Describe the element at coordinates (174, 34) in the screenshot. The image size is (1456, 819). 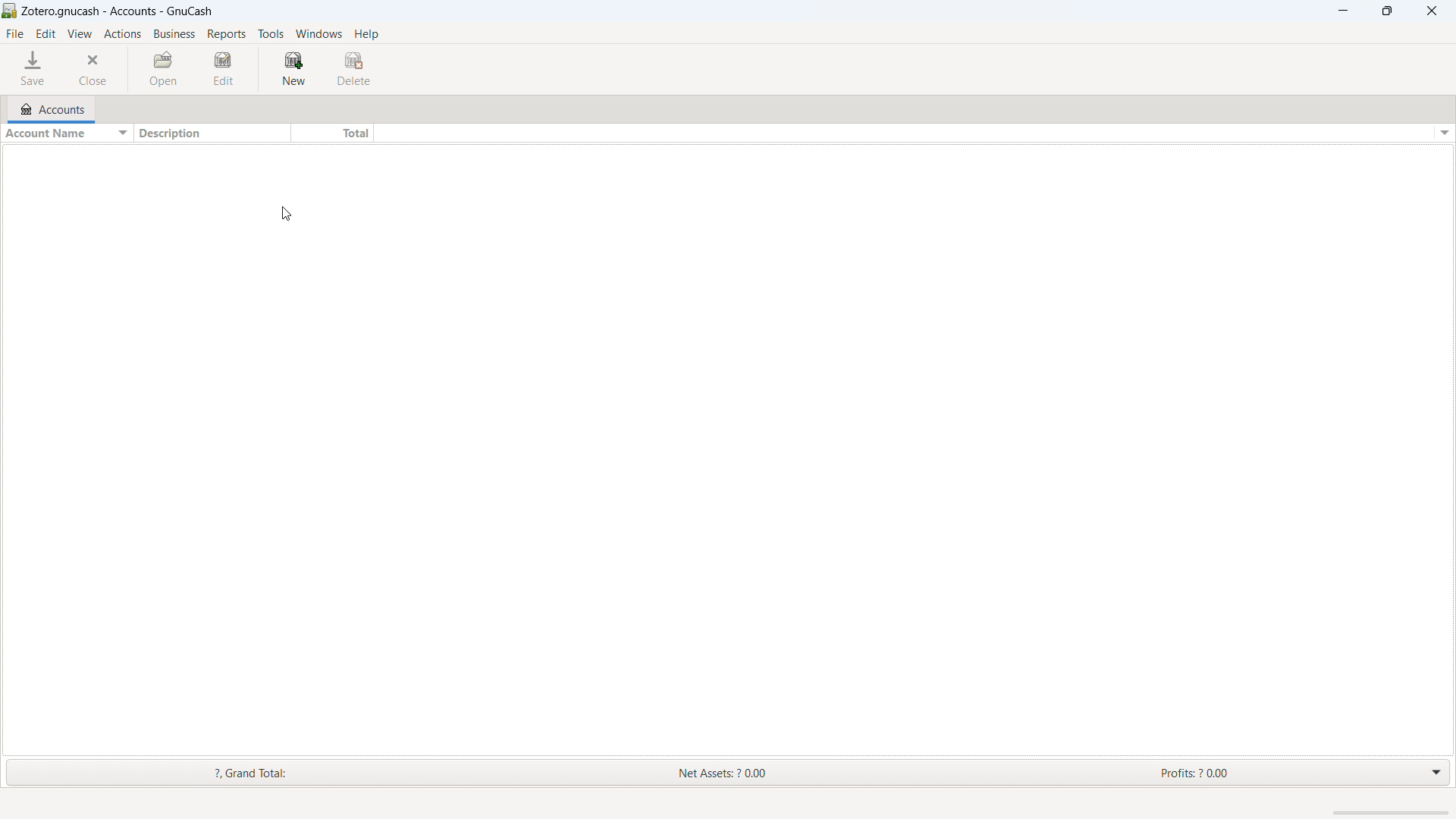
I see `business` at that location.